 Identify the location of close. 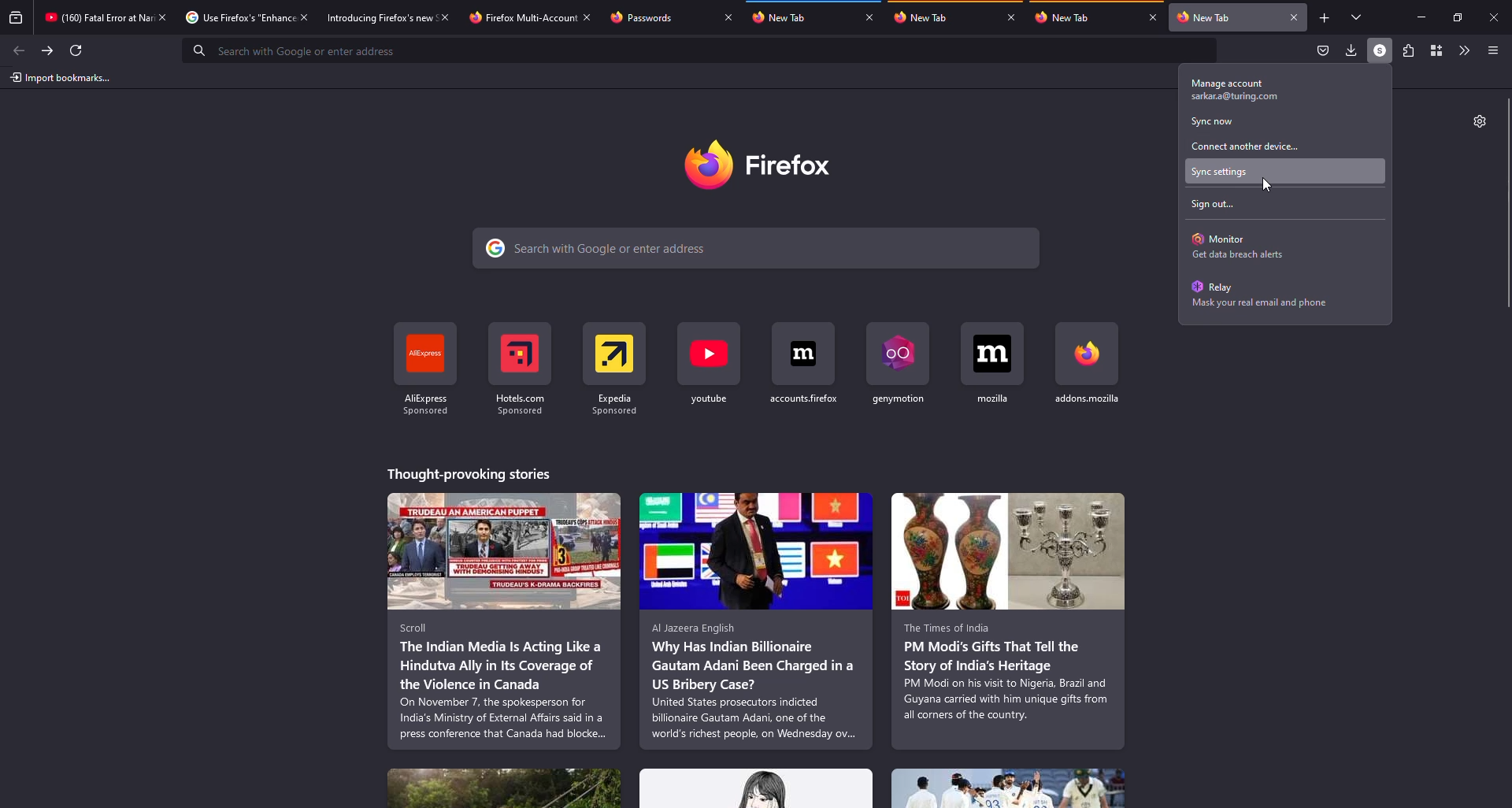
(869, 17).